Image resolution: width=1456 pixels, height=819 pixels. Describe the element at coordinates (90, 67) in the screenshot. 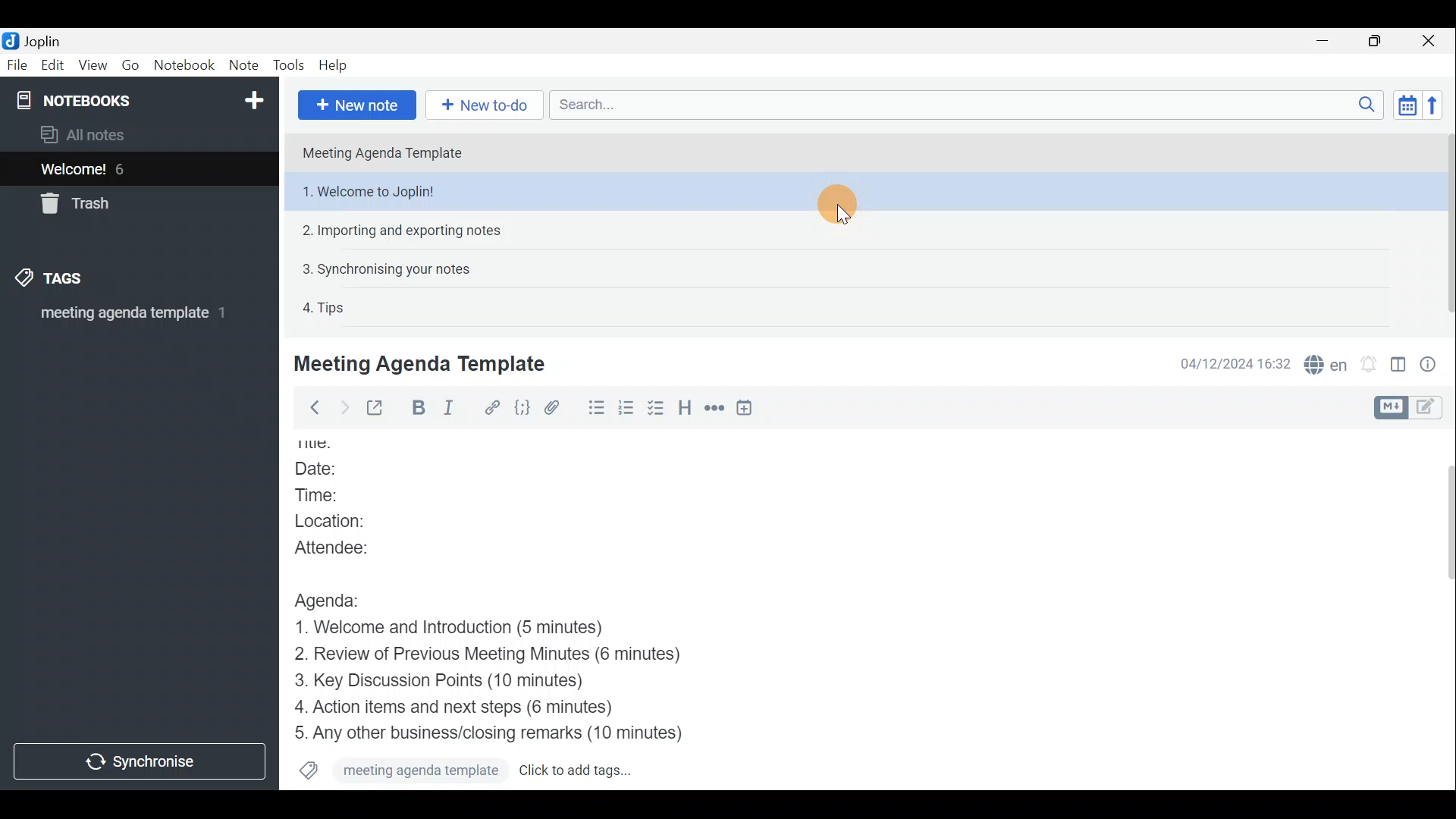

I see `View` at that location.